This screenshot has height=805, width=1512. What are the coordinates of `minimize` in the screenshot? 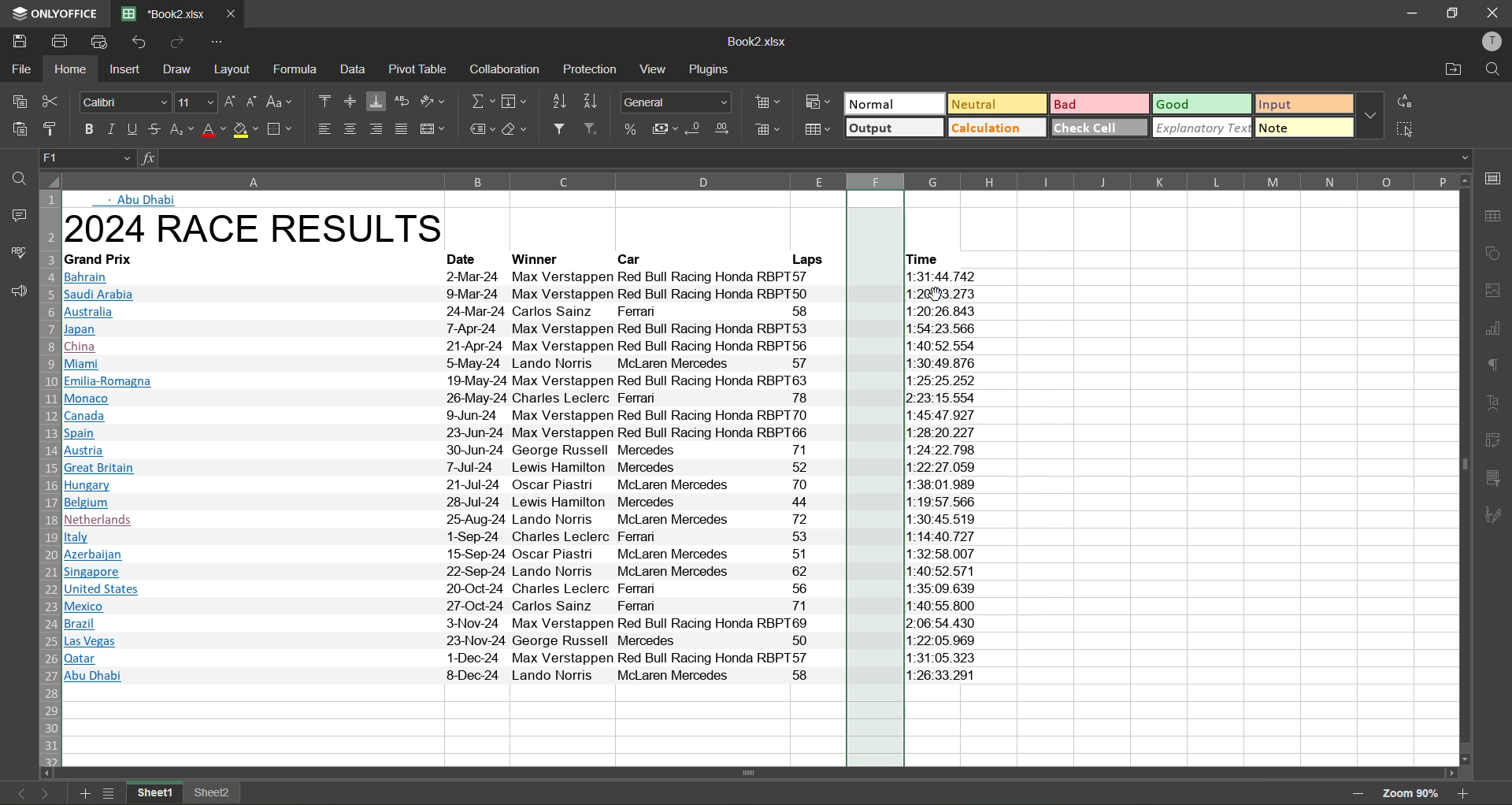 It's located at (1407, 13).